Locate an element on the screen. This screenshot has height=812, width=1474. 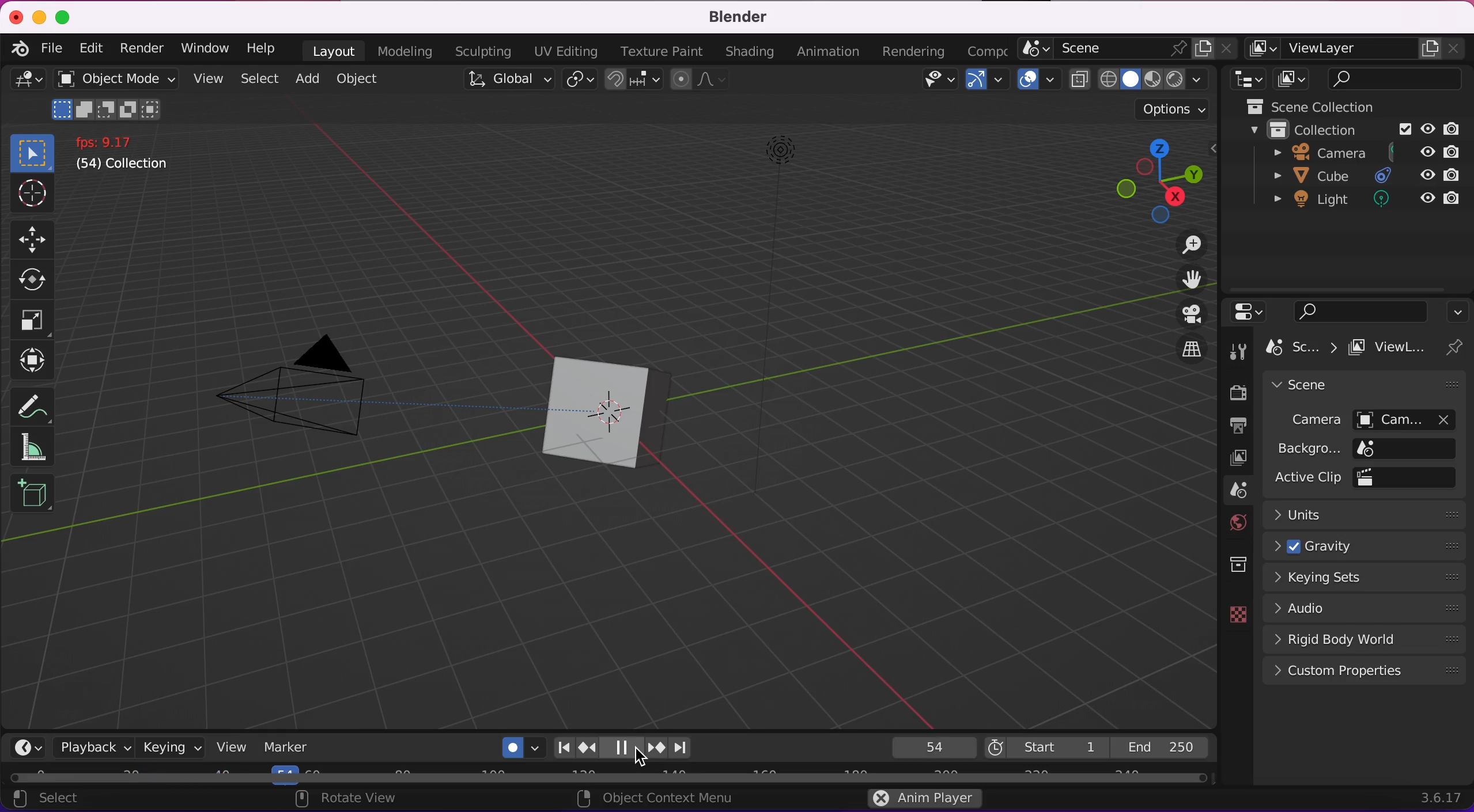
camera is located at coordinates (1363, 418).